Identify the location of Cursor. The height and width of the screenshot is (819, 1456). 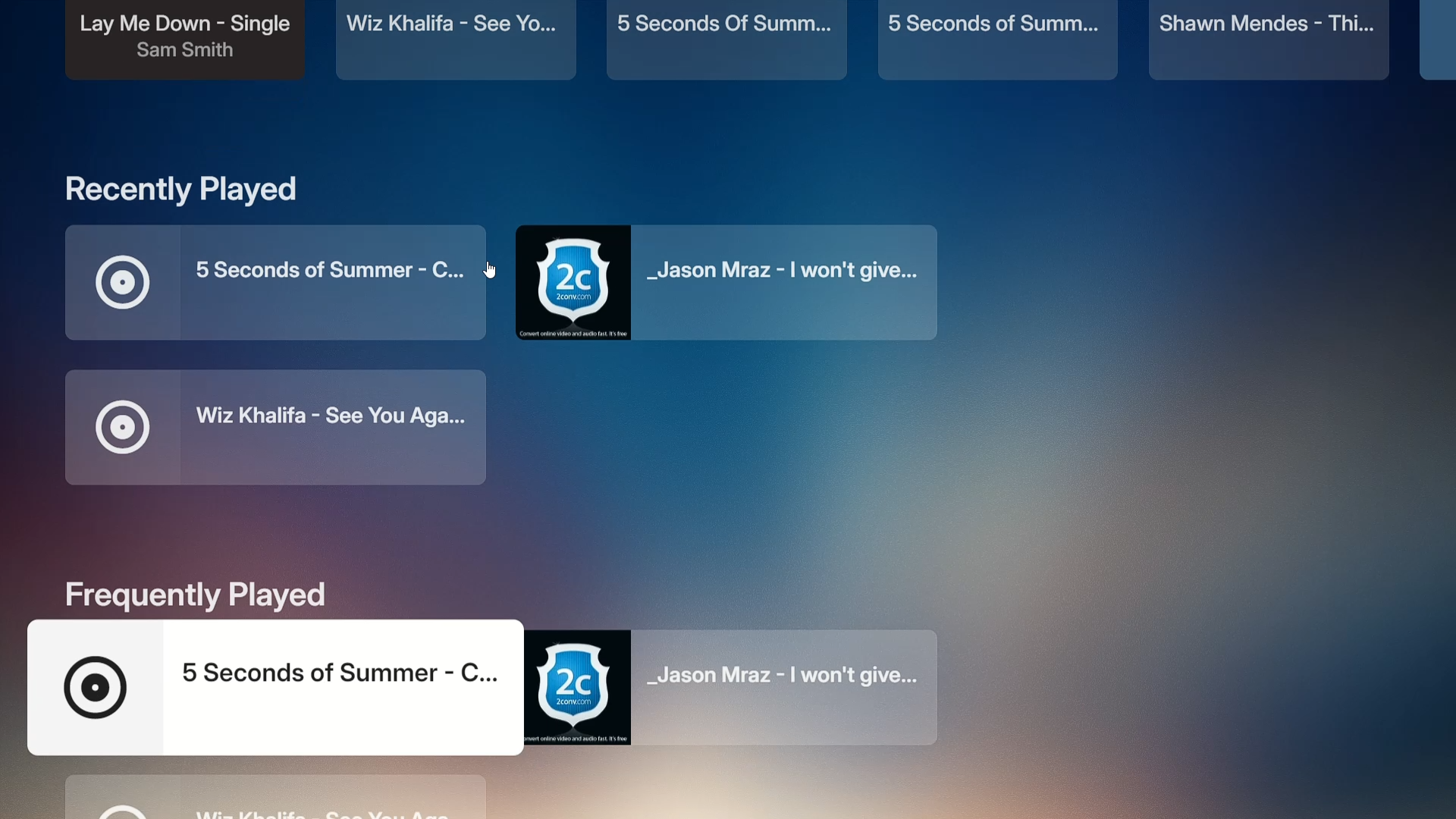
(497, 272).